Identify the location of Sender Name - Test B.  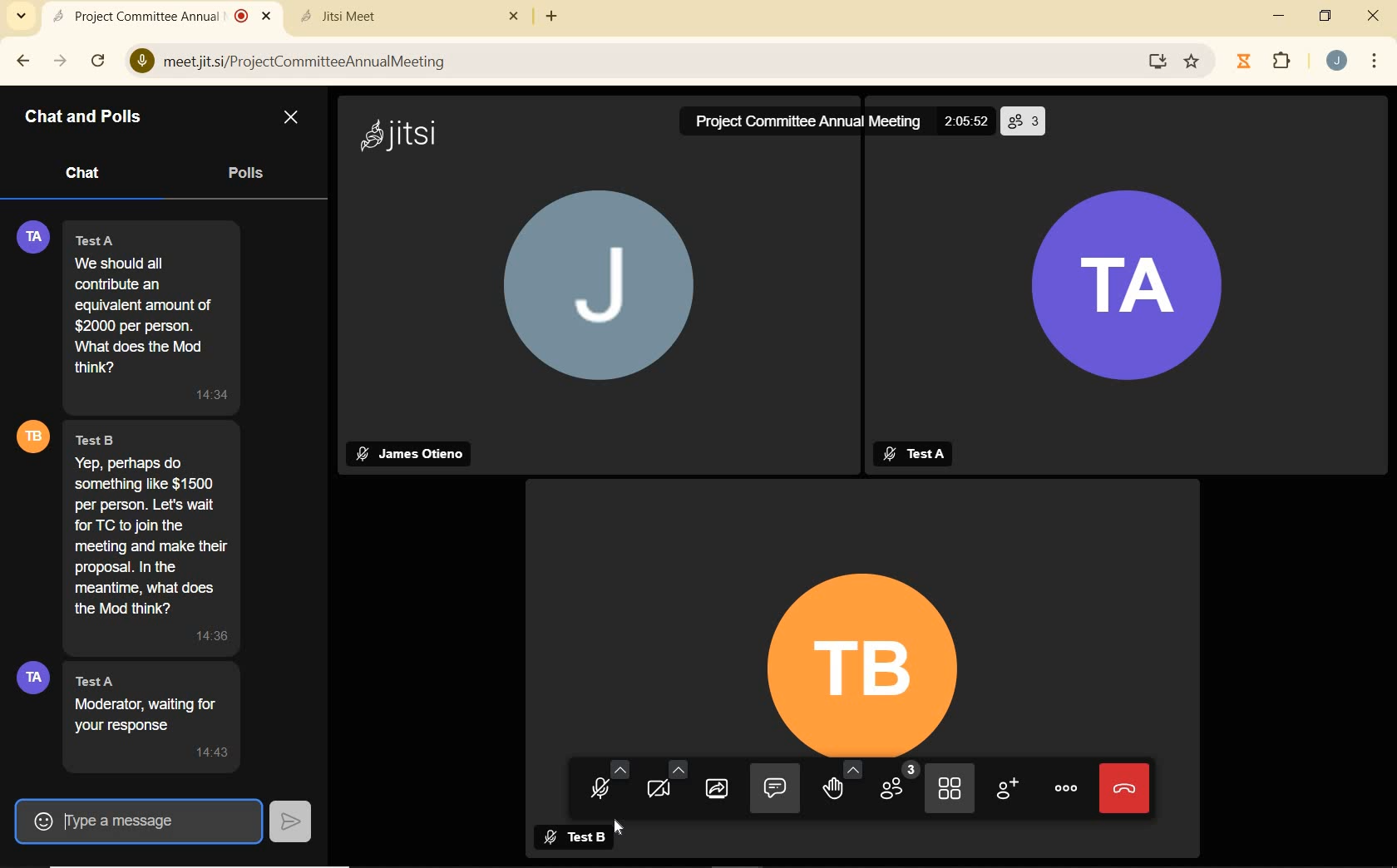
(111, 436).